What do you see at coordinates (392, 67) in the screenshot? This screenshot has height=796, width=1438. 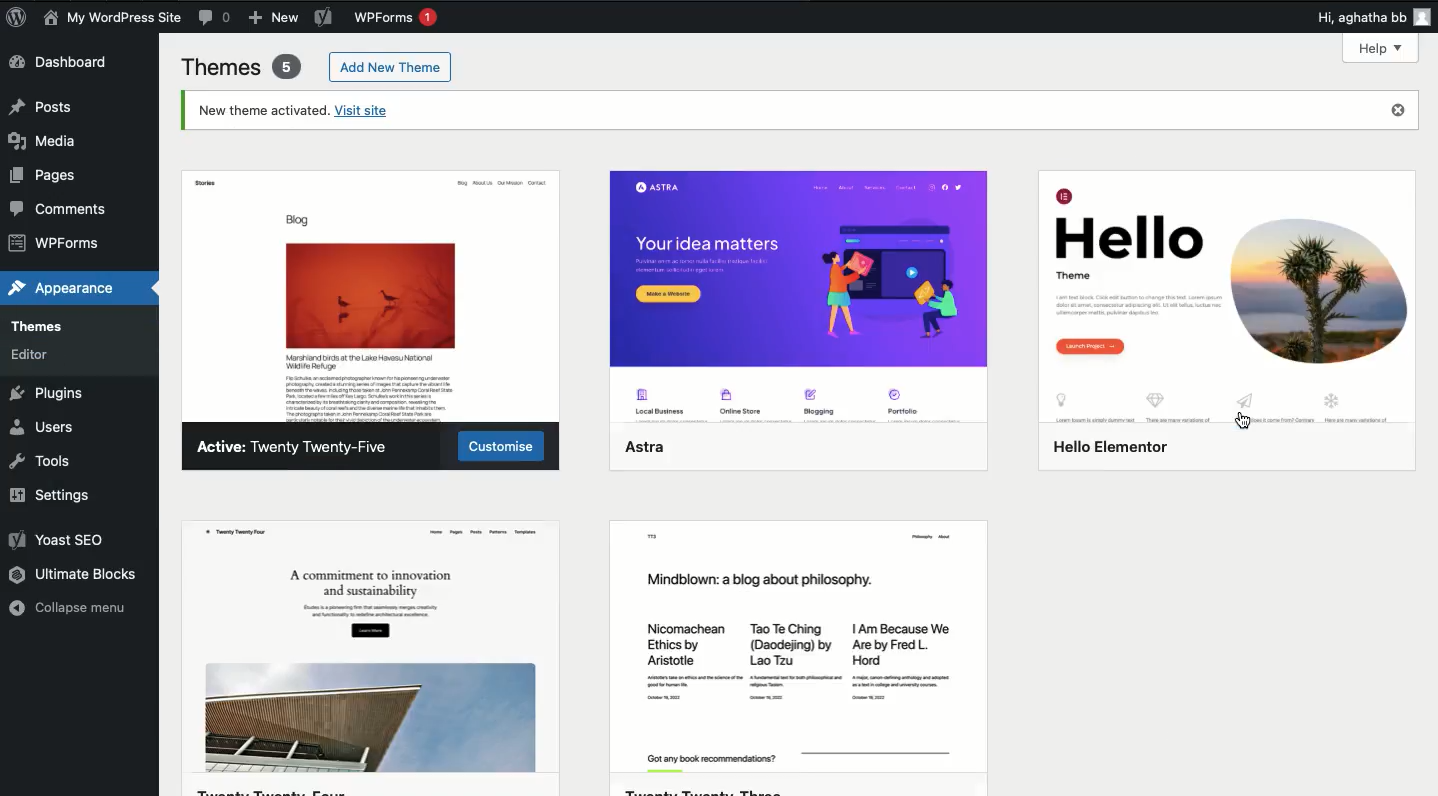 I see `Add new theme` at bounding box center [392, 67].